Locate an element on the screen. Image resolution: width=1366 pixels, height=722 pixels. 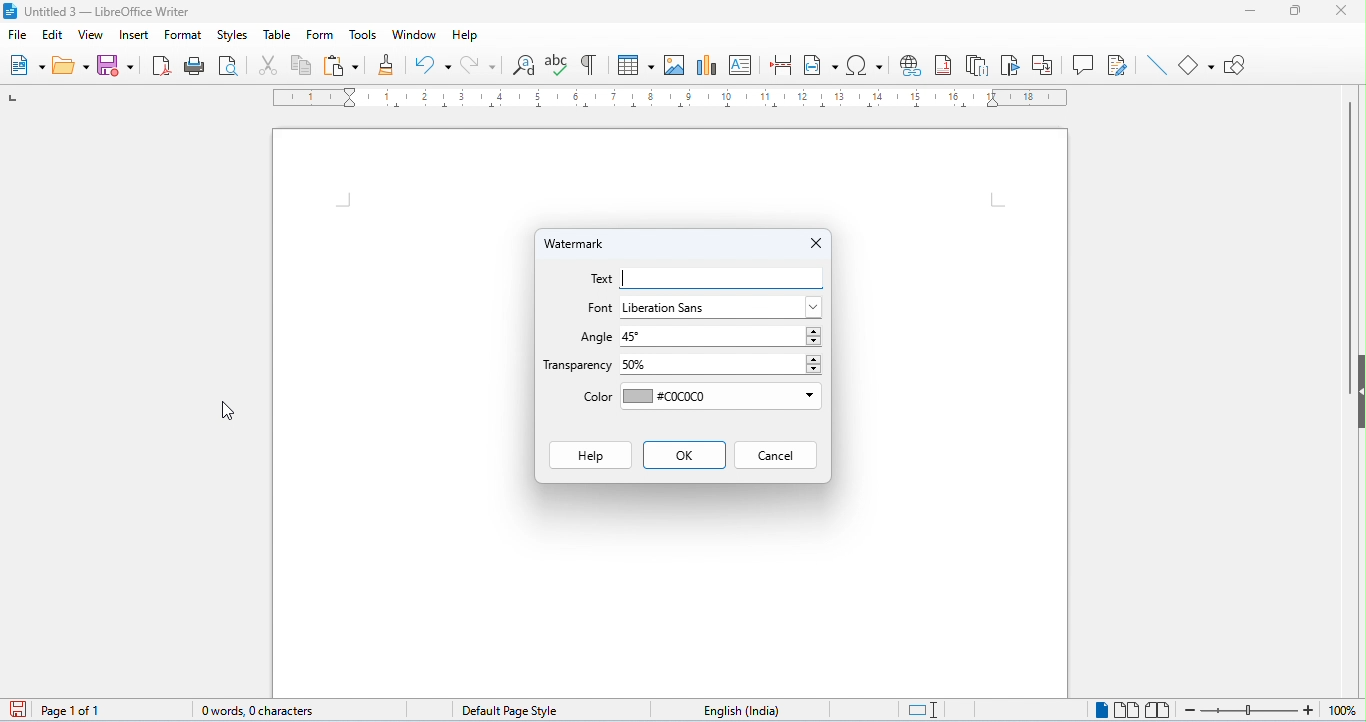
format is located at coordinates (181, 36).